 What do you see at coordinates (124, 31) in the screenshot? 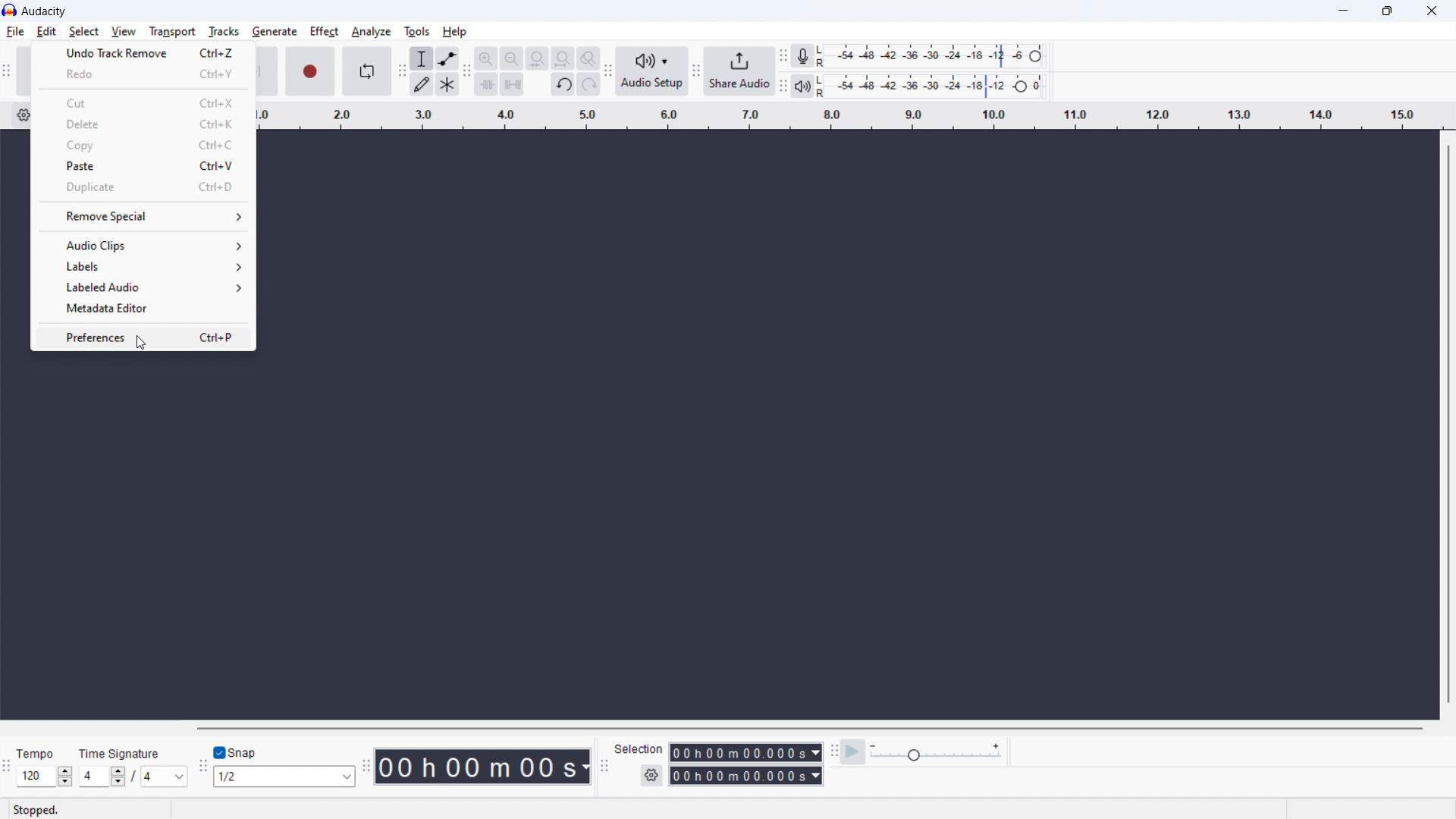
I see `view` at bounding box center [124, 31].